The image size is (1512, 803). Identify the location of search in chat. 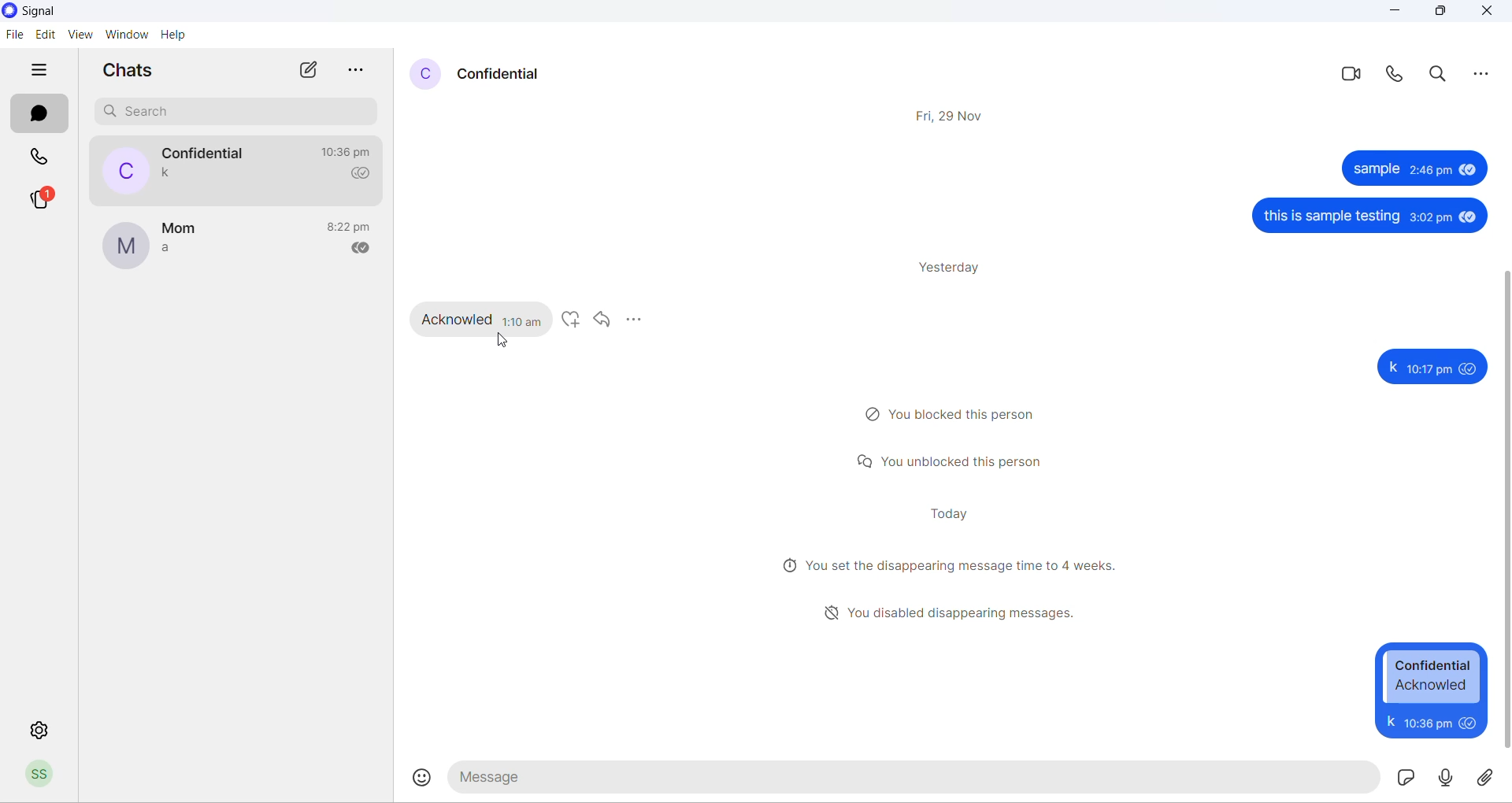
(1440, 75).